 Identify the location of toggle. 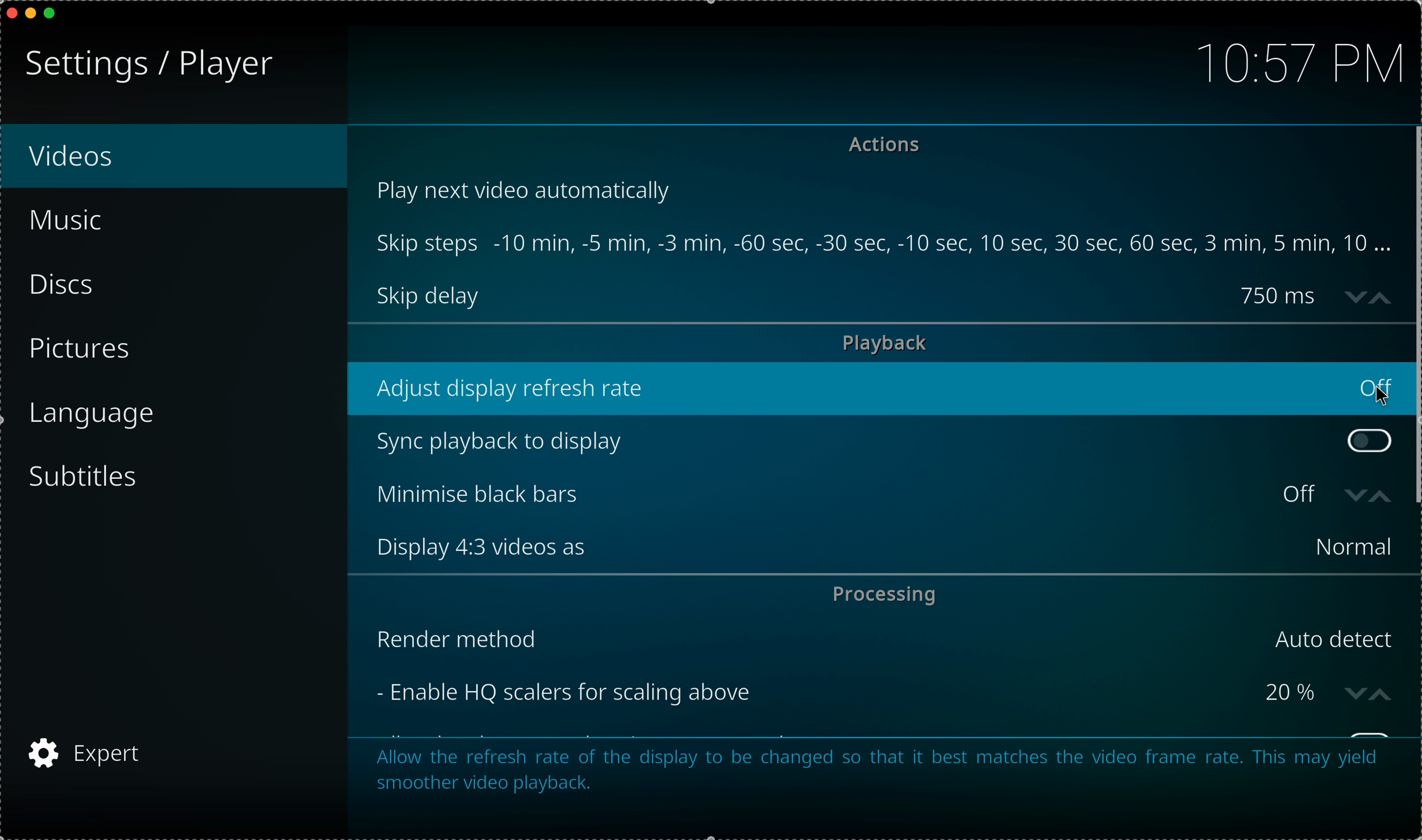
(1369, 440).